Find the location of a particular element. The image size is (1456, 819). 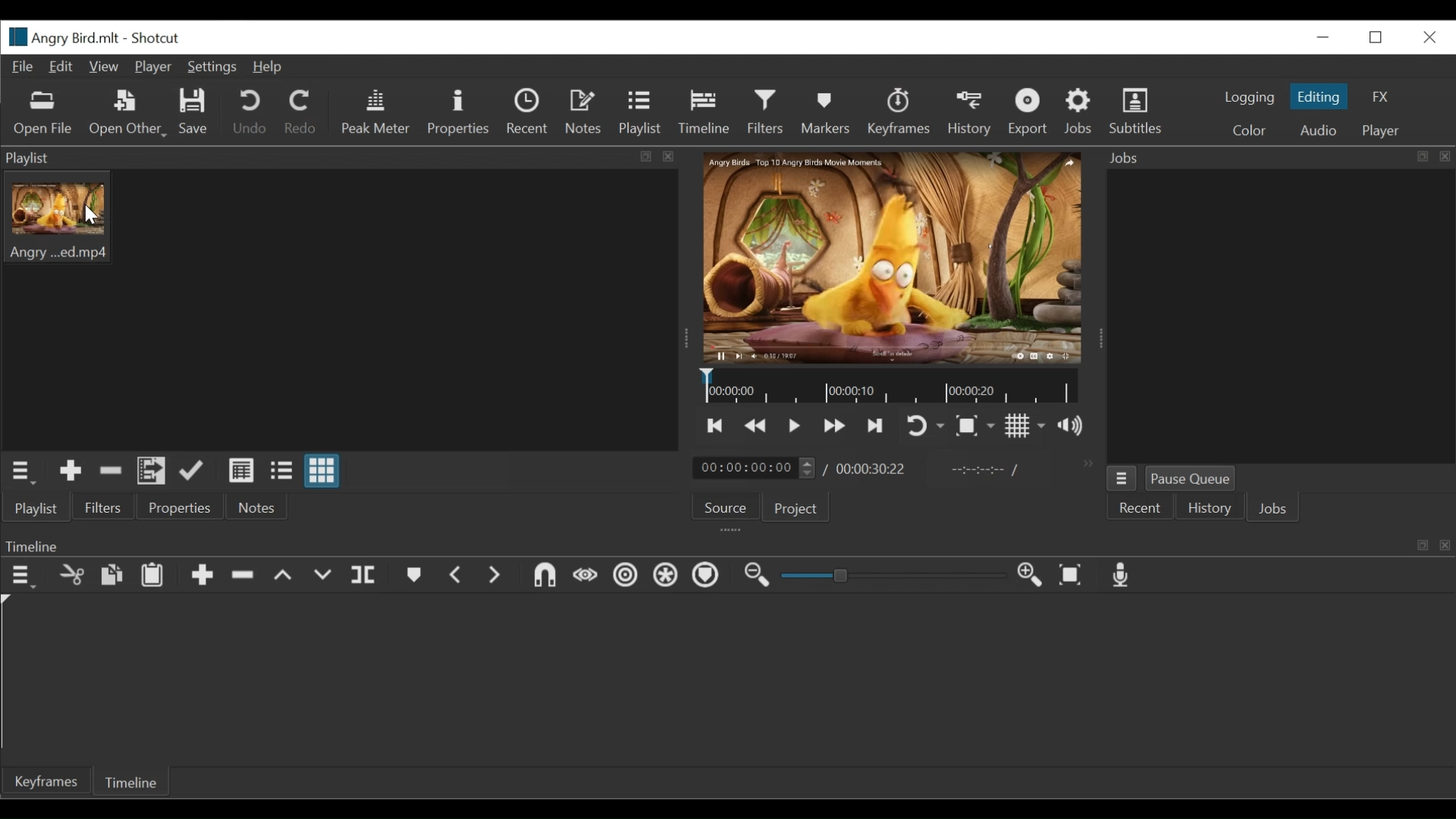

Save is located at coordinates (194, 112).